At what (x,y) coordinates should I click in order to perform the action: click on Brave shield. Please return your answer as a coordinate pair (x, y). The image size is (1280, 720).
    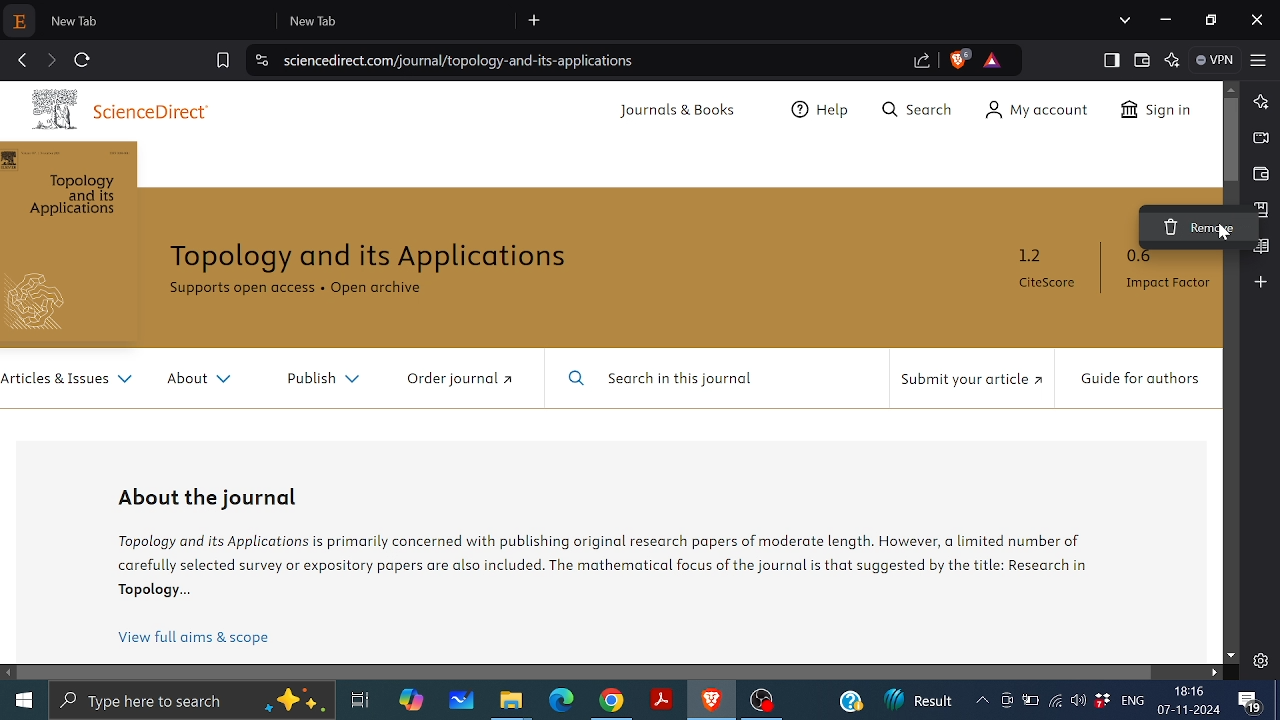
    Looking at the image, I should click on (961, 60).